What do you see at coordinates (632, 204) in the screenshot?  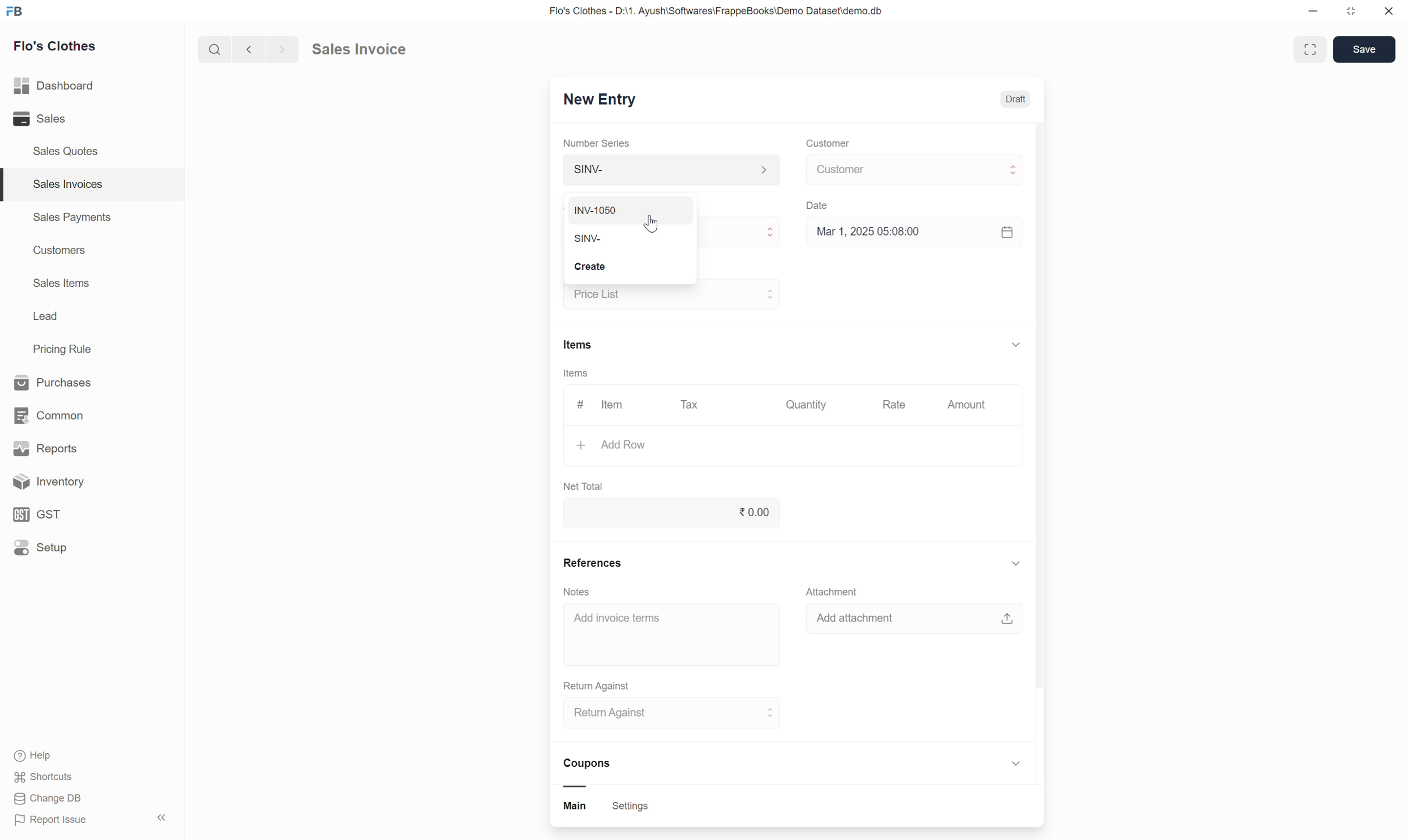 I see `INV-1050` at bounding box center [632, 204].